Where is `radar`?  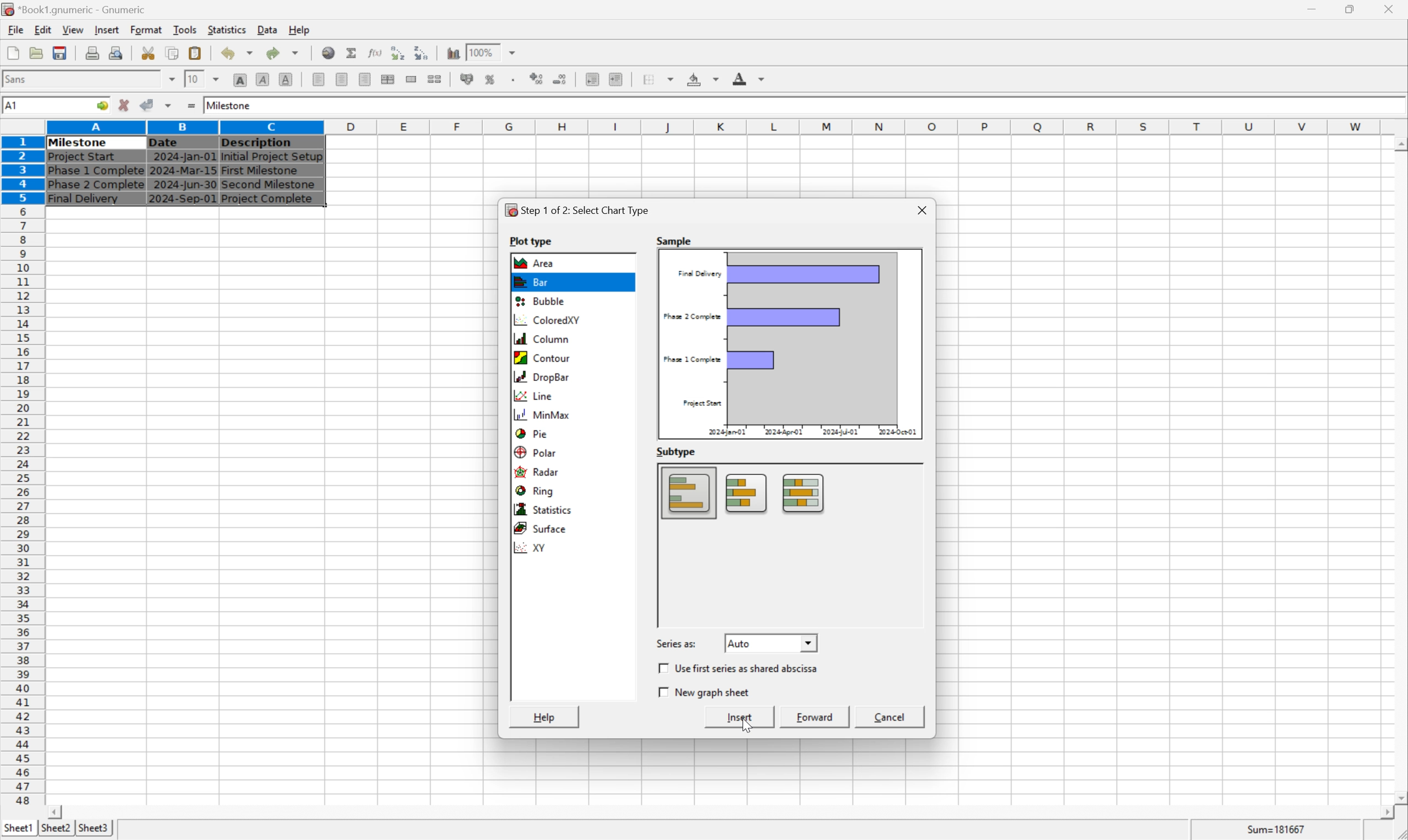
radar is located at coordinates (540, 473).